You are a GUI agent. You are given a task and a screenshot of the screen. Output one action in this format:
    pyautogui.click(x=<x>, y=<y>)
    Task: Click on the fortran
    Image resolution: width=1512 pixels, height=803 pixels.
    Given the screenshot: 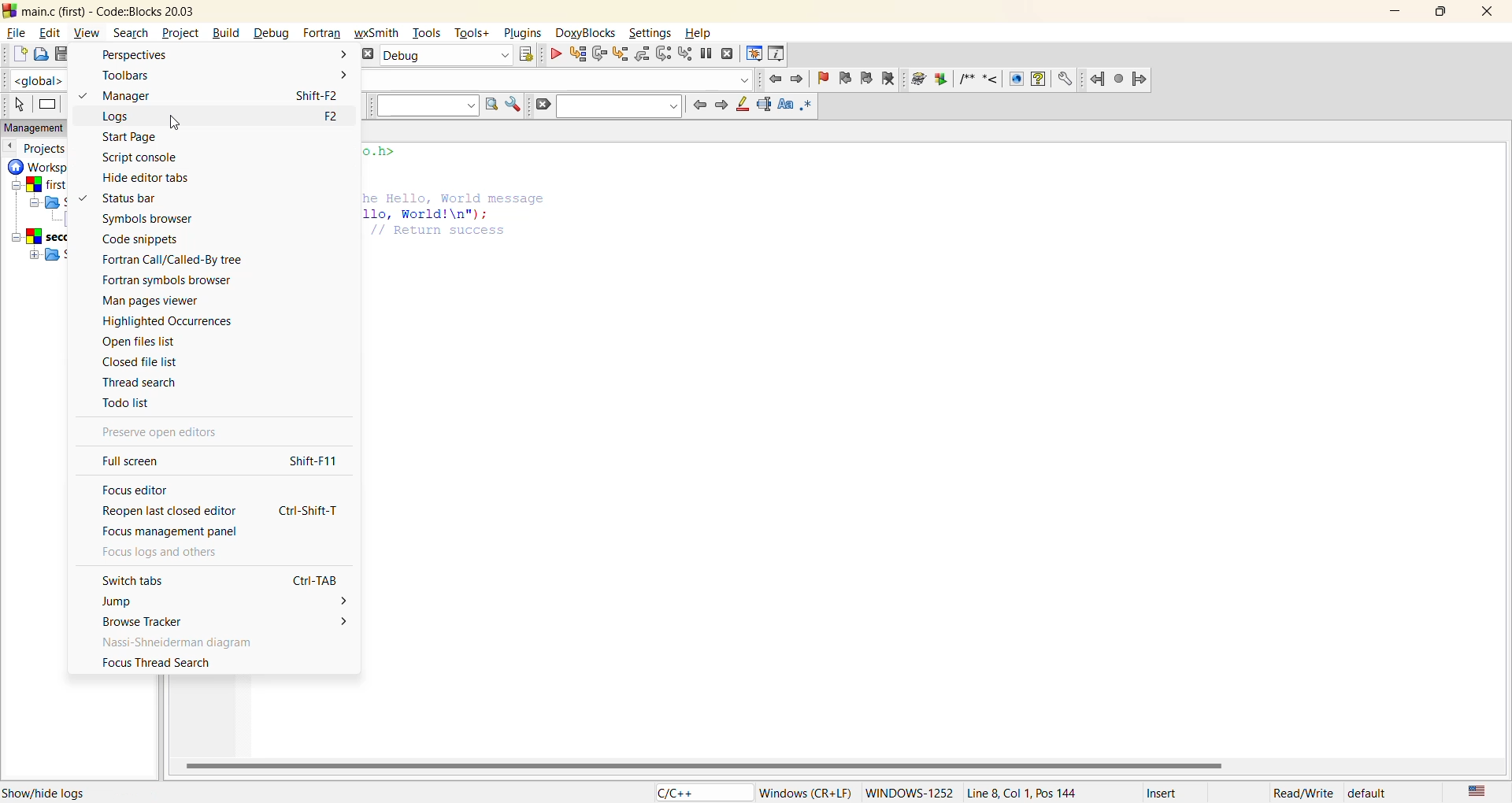 What is the action you would take?
    pyautogui.click(x=322, y=35)
    